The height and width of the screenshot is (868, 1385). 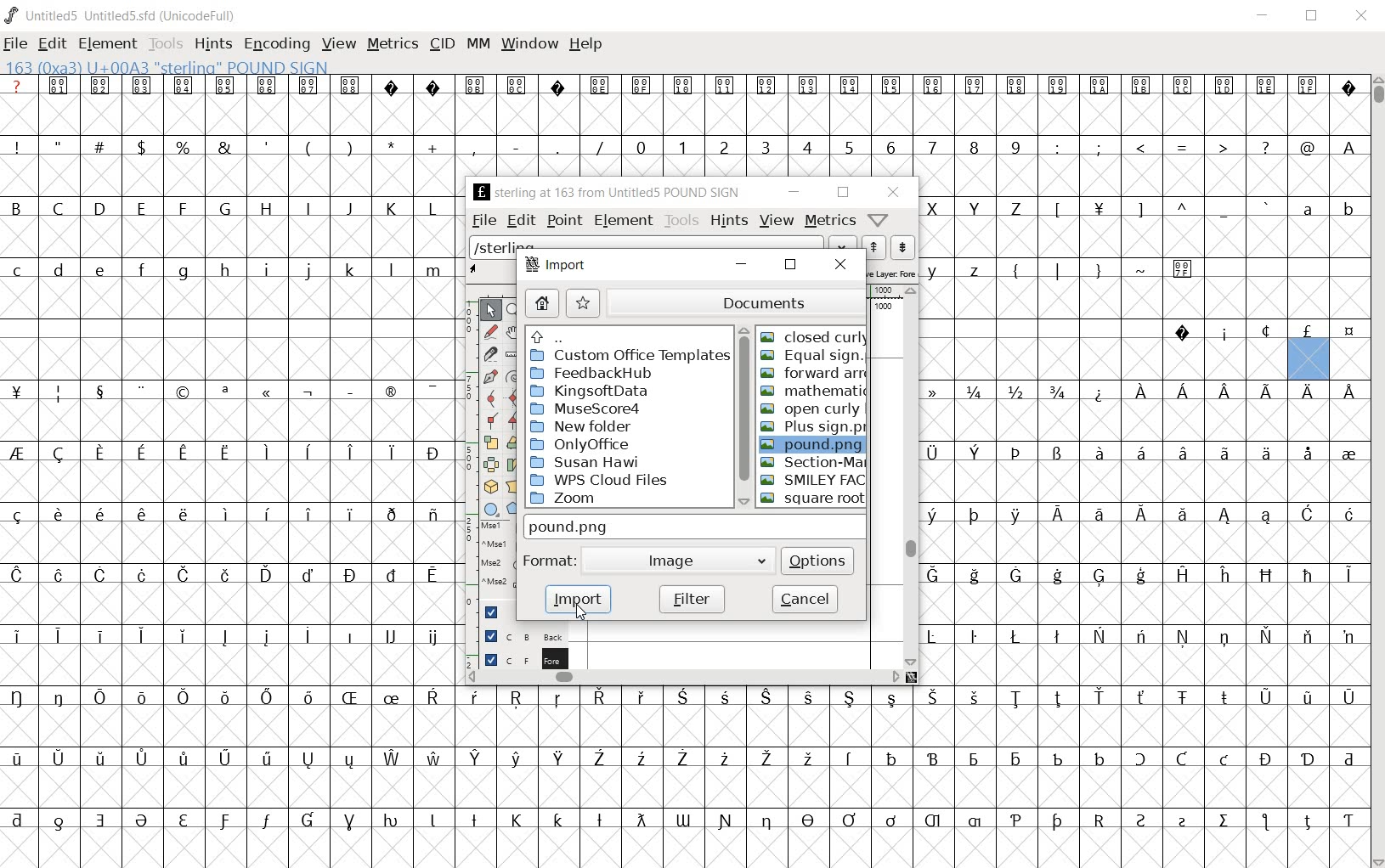 I want to click on Symbol, so click(x=644, y=86).